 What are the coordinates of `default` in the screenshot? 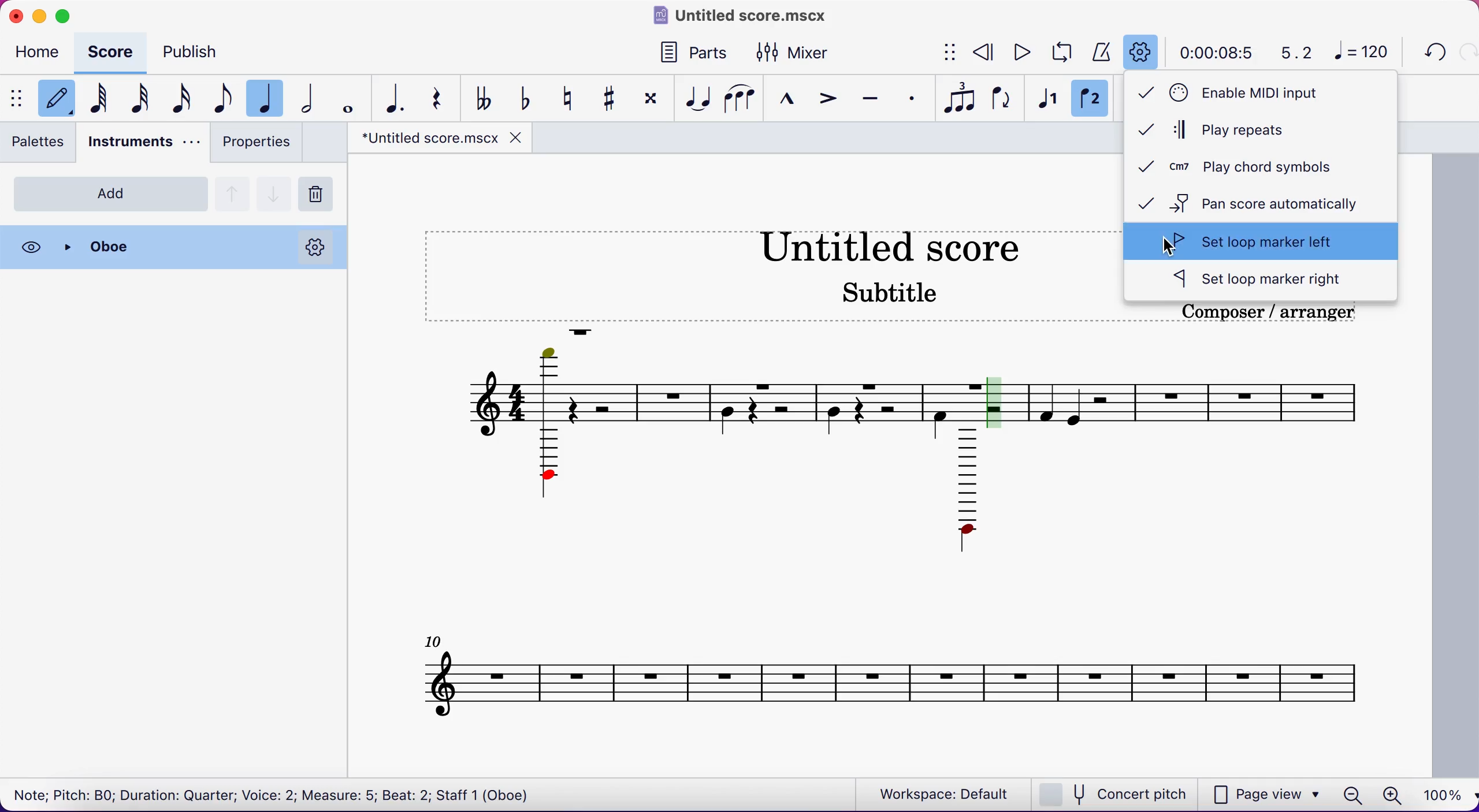 It's located at (54, 99).